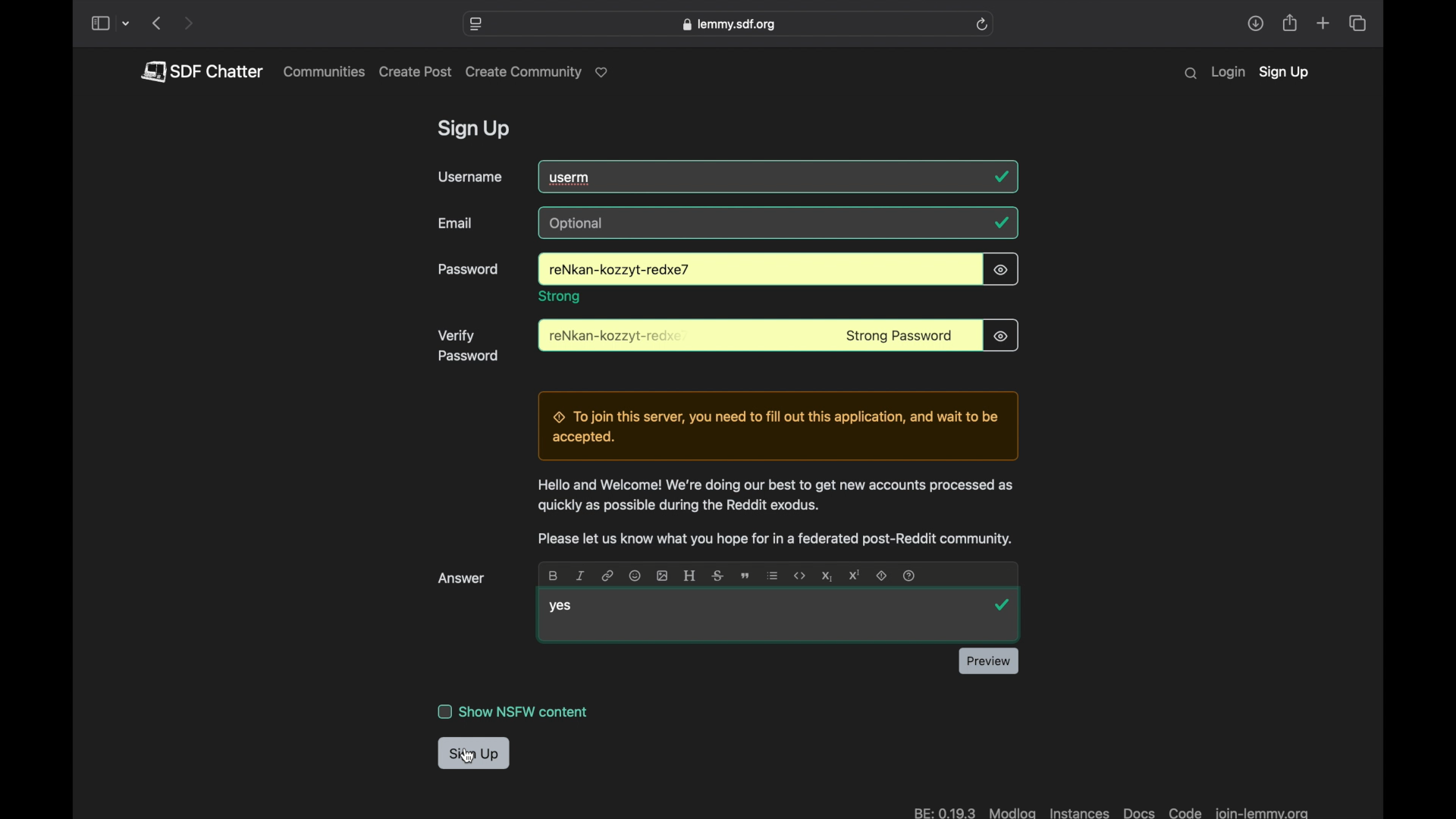 Image resolution: width=1456 pixels, height=819 pixels. Describe the element at coordinates (463, 579) in the screenshot. I see `answer` at that location.